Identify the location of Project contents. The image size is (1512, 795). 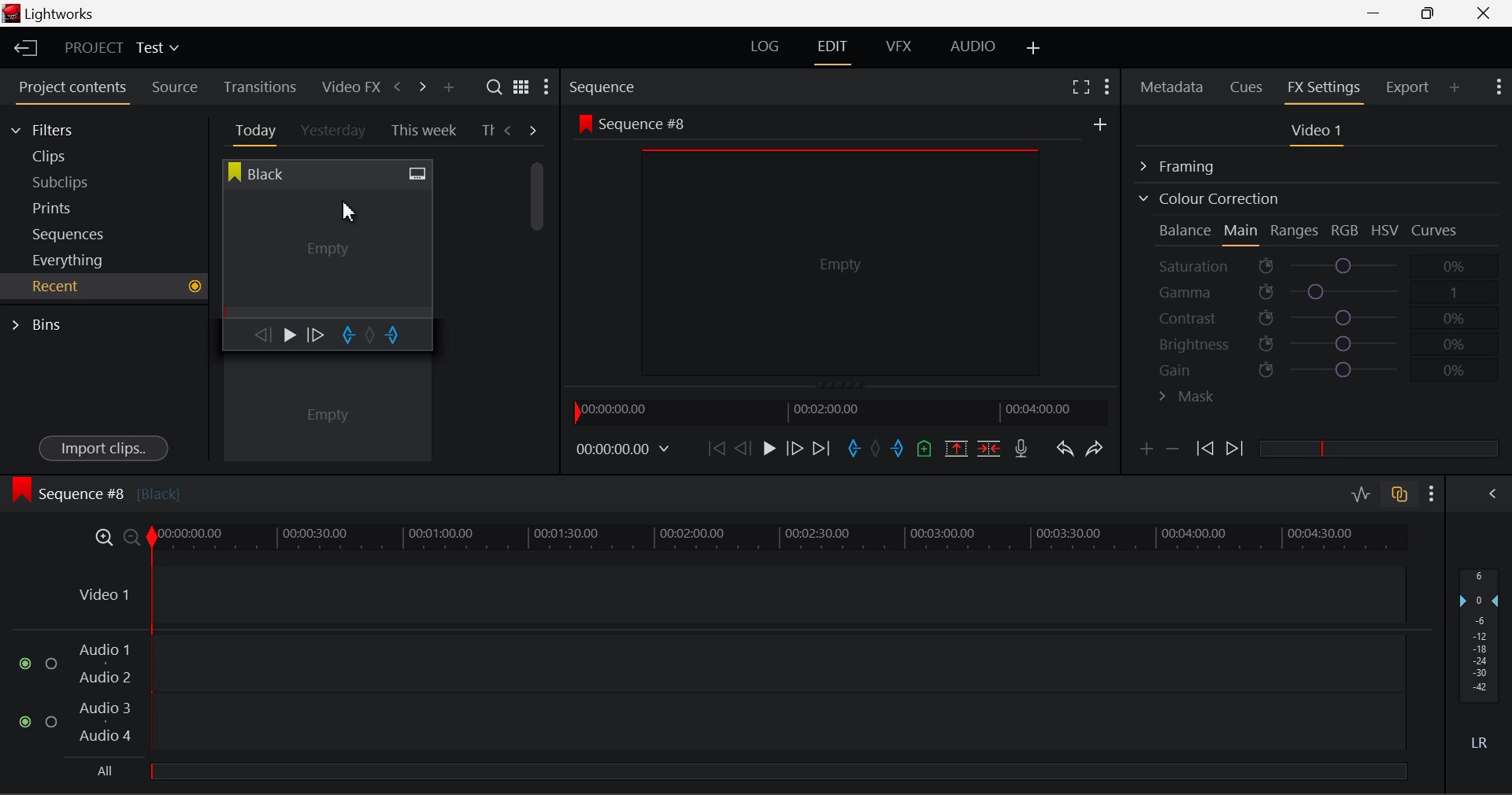
(72, 91).